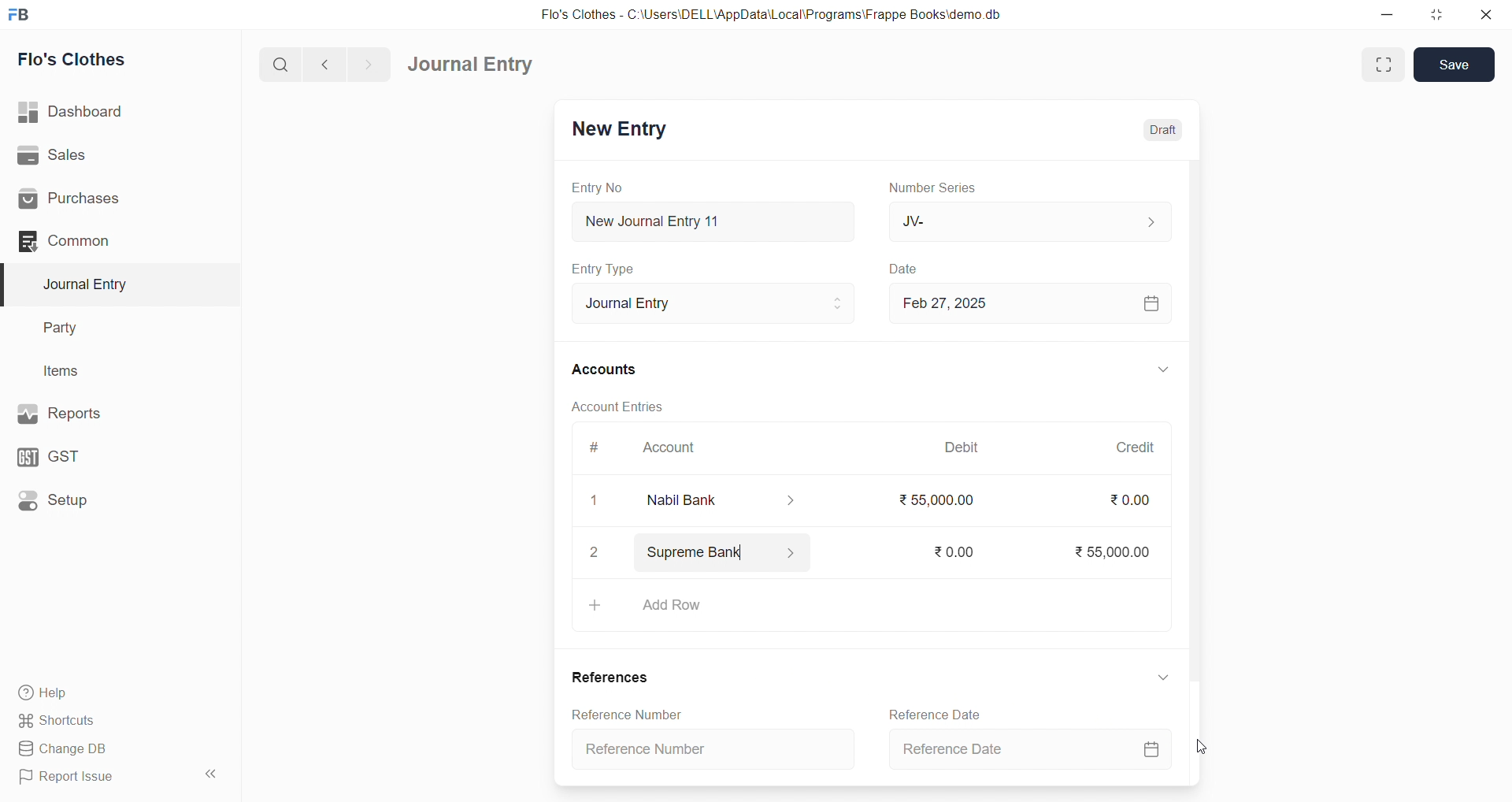  Describe the element at coordinates (1488, 14) in the screenshot. I see `close` at that location.